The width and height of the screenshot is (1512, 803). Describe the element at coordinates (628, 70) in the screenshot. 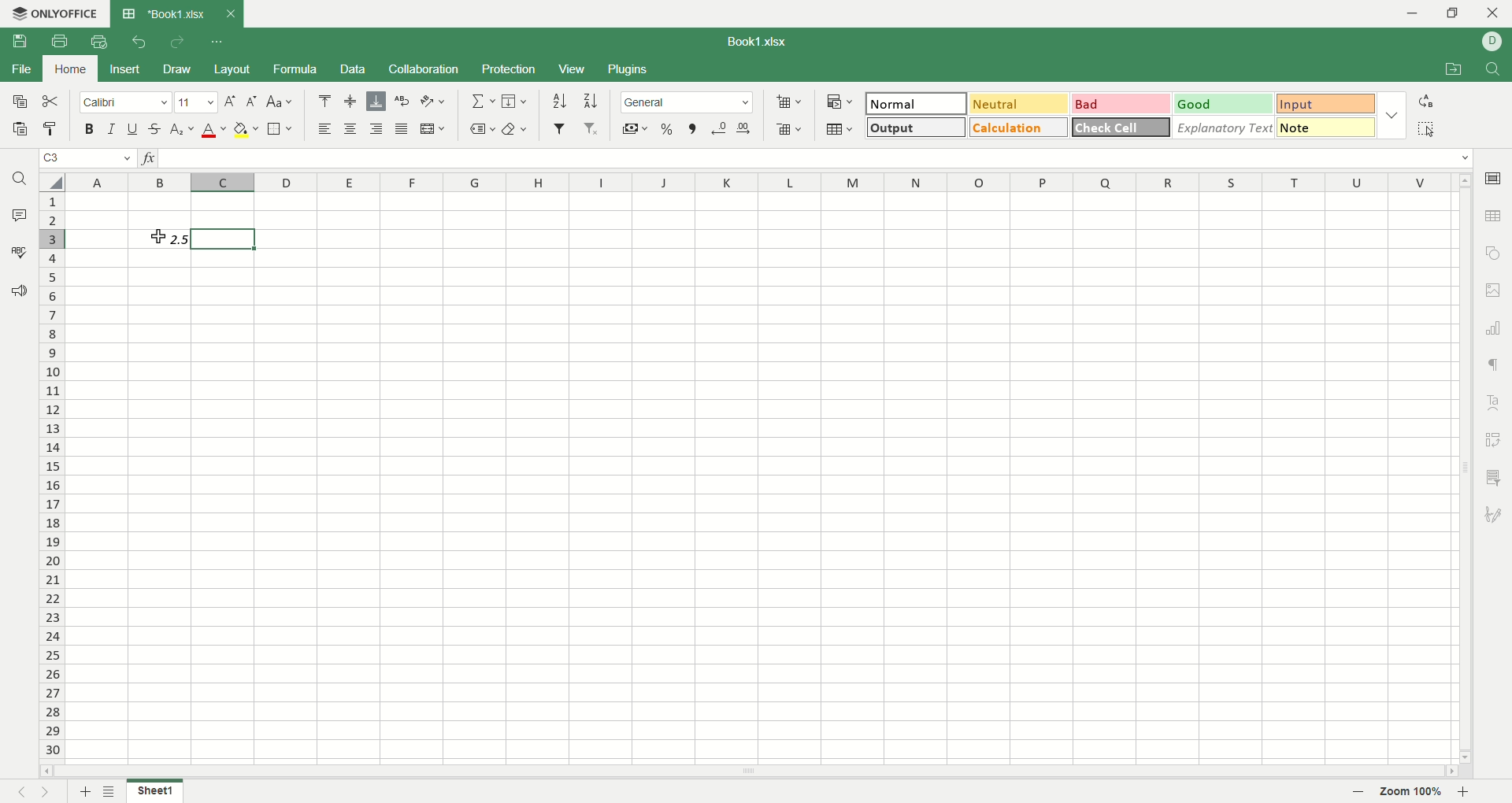

I see `plugins` at that location.